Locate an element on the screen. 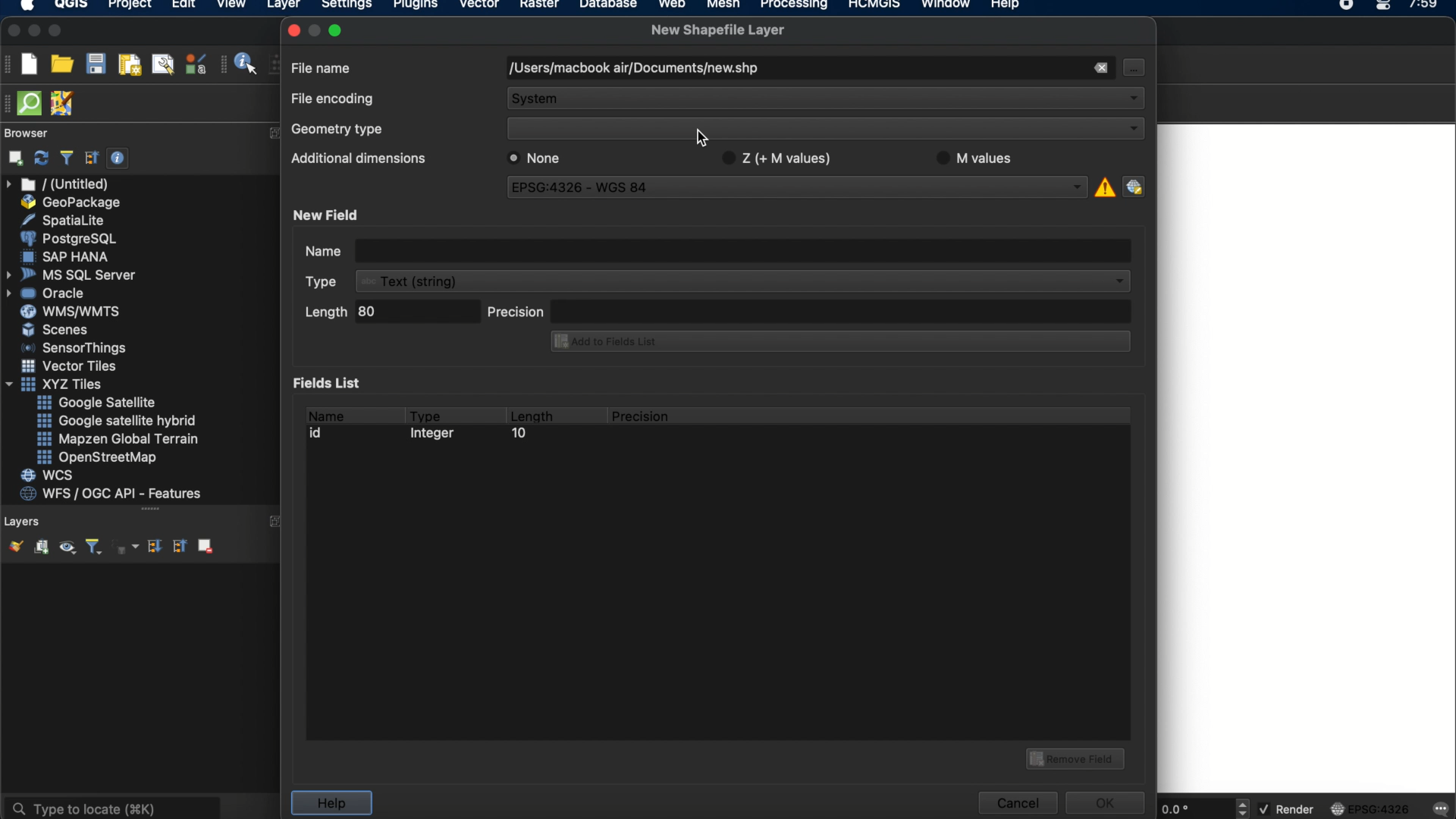 This screenshot has height=819, width=1456. cursor is located at coordinates (1132, 67).